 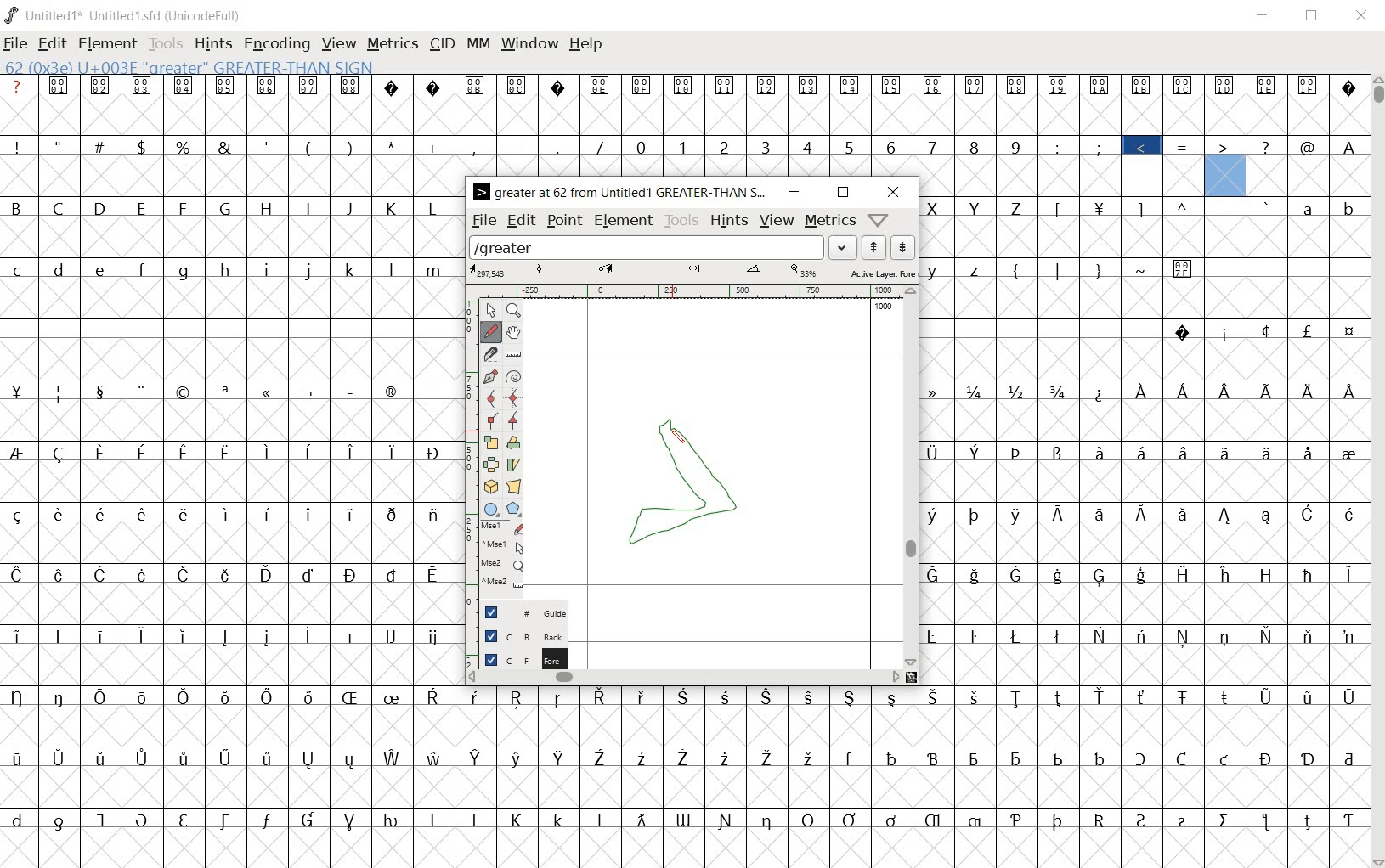 What do you see at coordinates (895, 192) in the screenshot?
I see `close` at bounding box center [895, 192].